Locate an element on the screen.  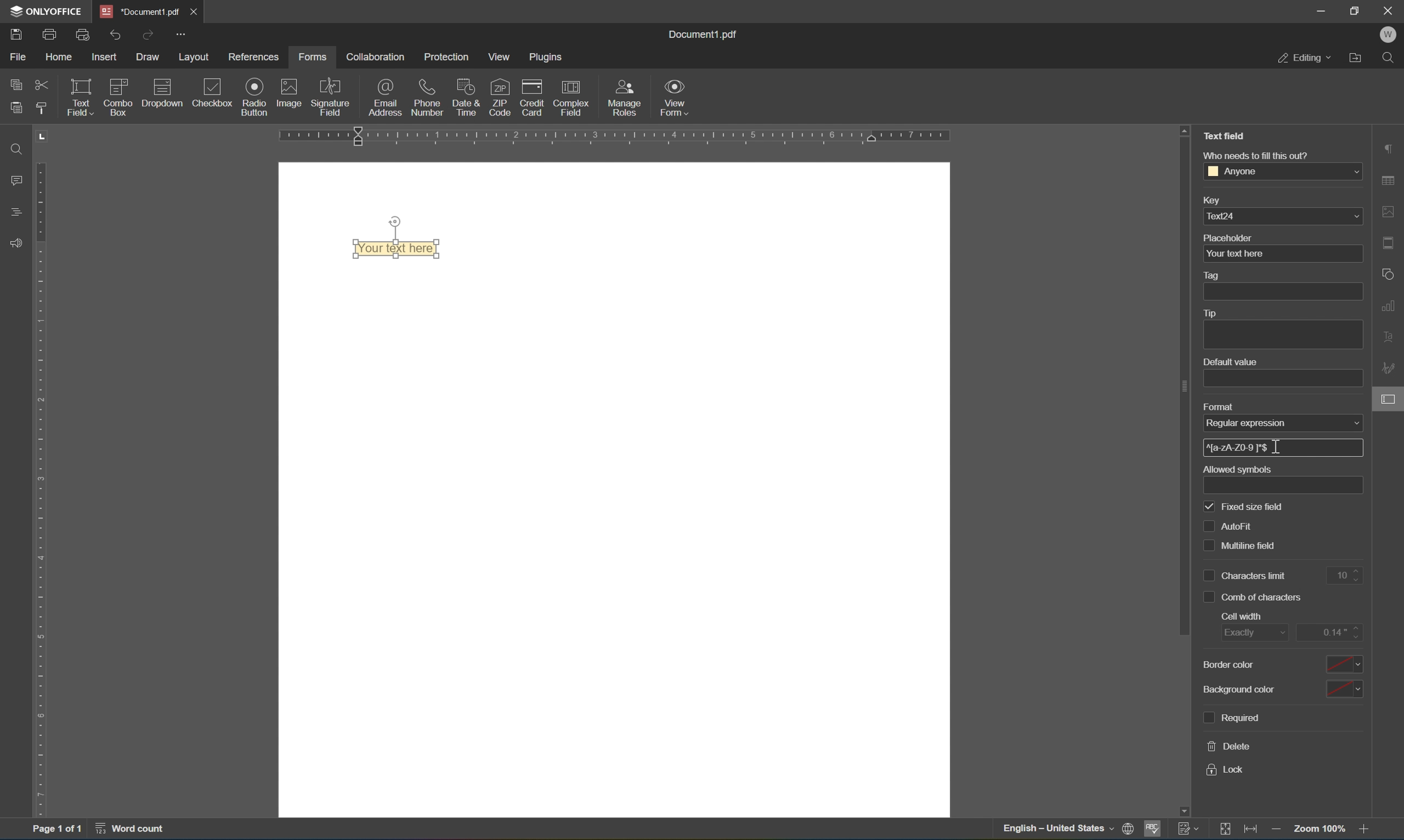
ONLYOFFICE is located at coordinates (46, 11).